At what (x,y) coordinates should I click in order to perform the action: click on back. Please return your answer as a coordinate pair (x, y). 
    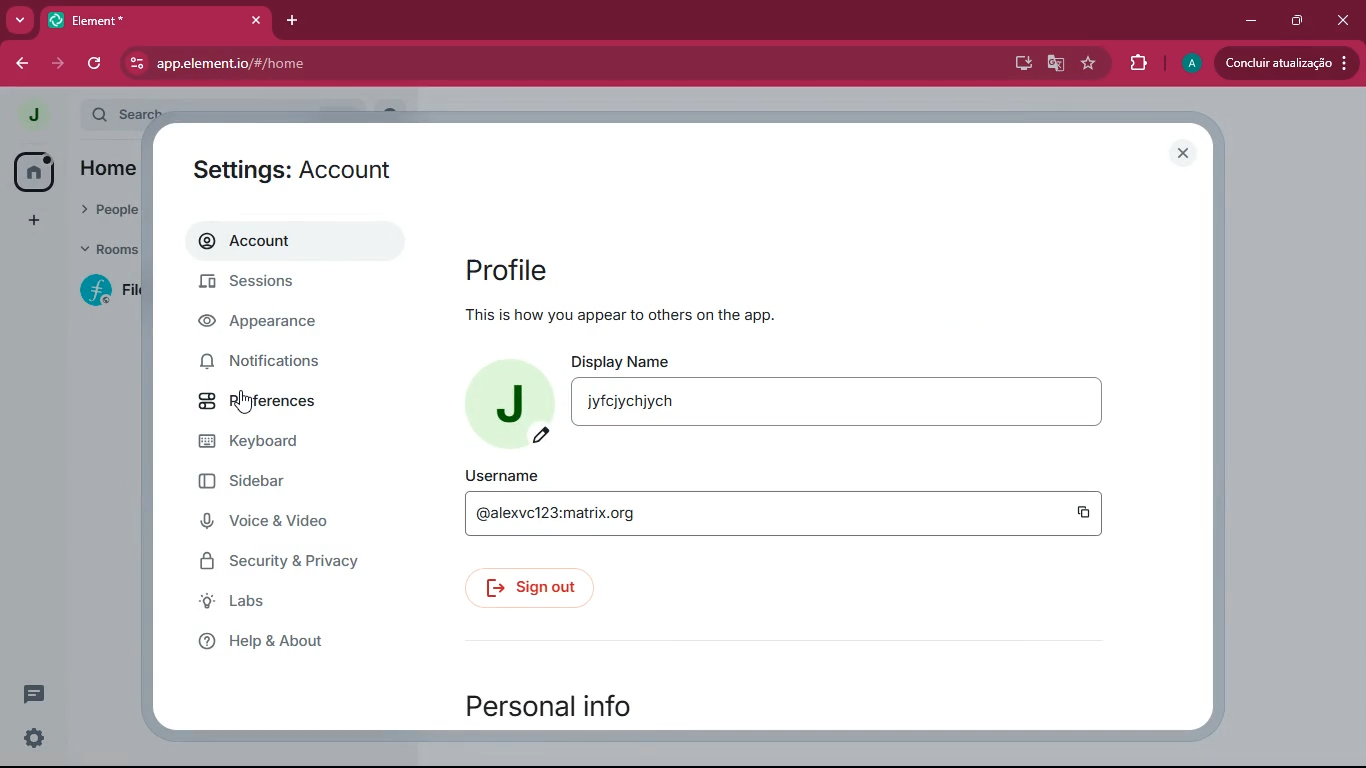
    Looking at the image, I should click on (24, 64).